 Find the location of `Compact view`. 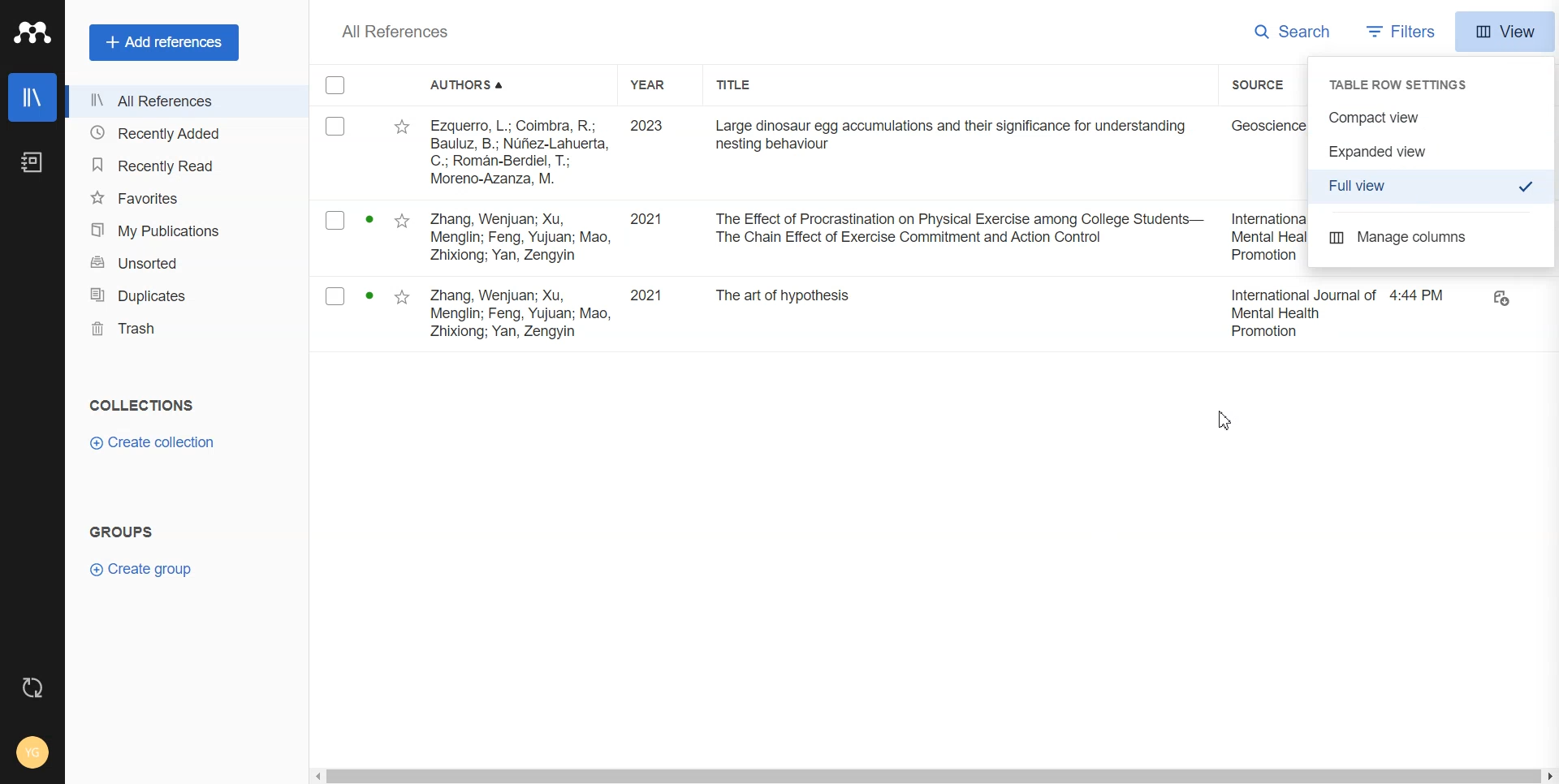

Compact view is located at coordinates (1432, 118).